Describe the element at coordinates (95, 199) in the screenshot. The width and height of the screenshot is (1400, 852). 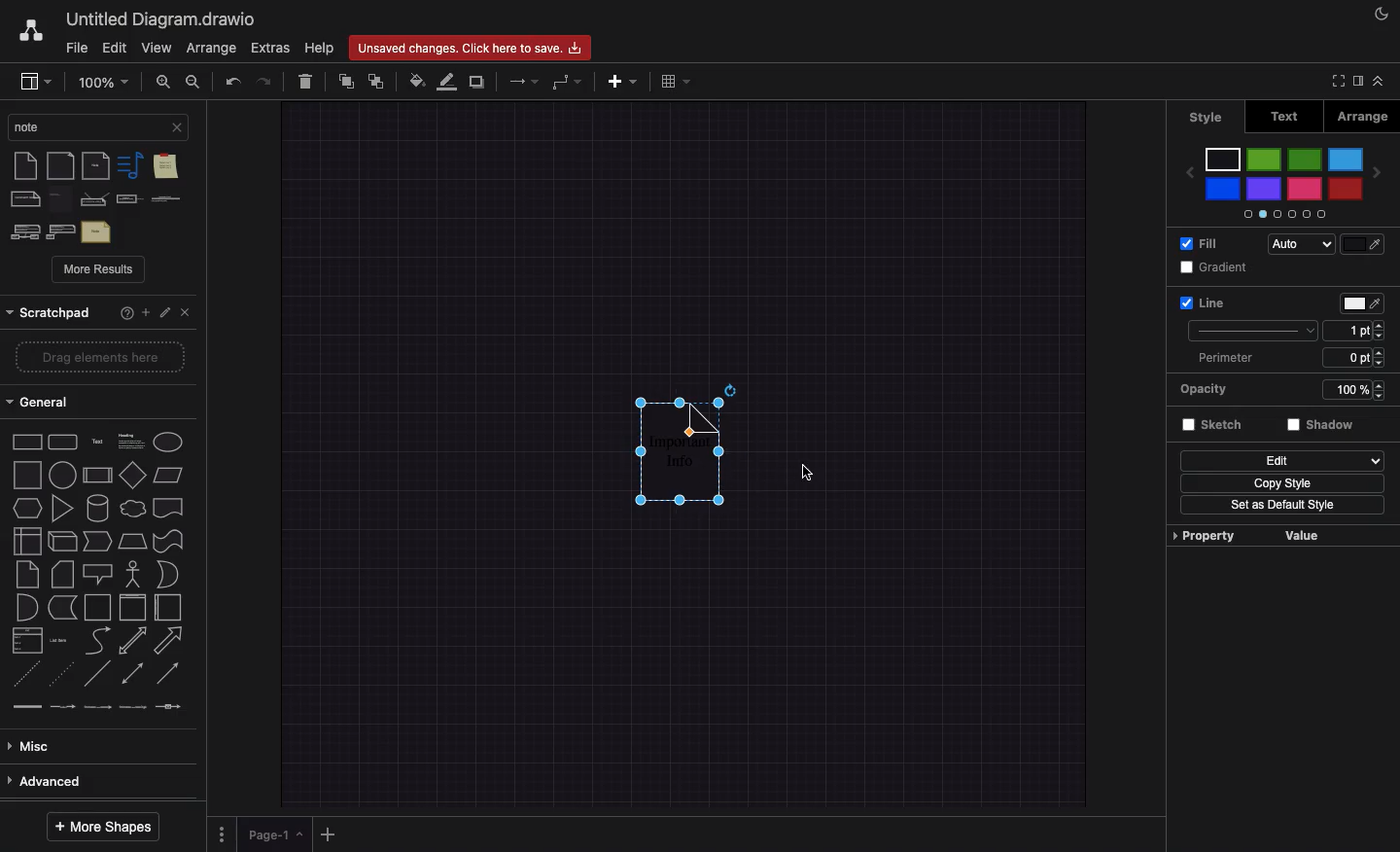
I see `constraint note` at that location.